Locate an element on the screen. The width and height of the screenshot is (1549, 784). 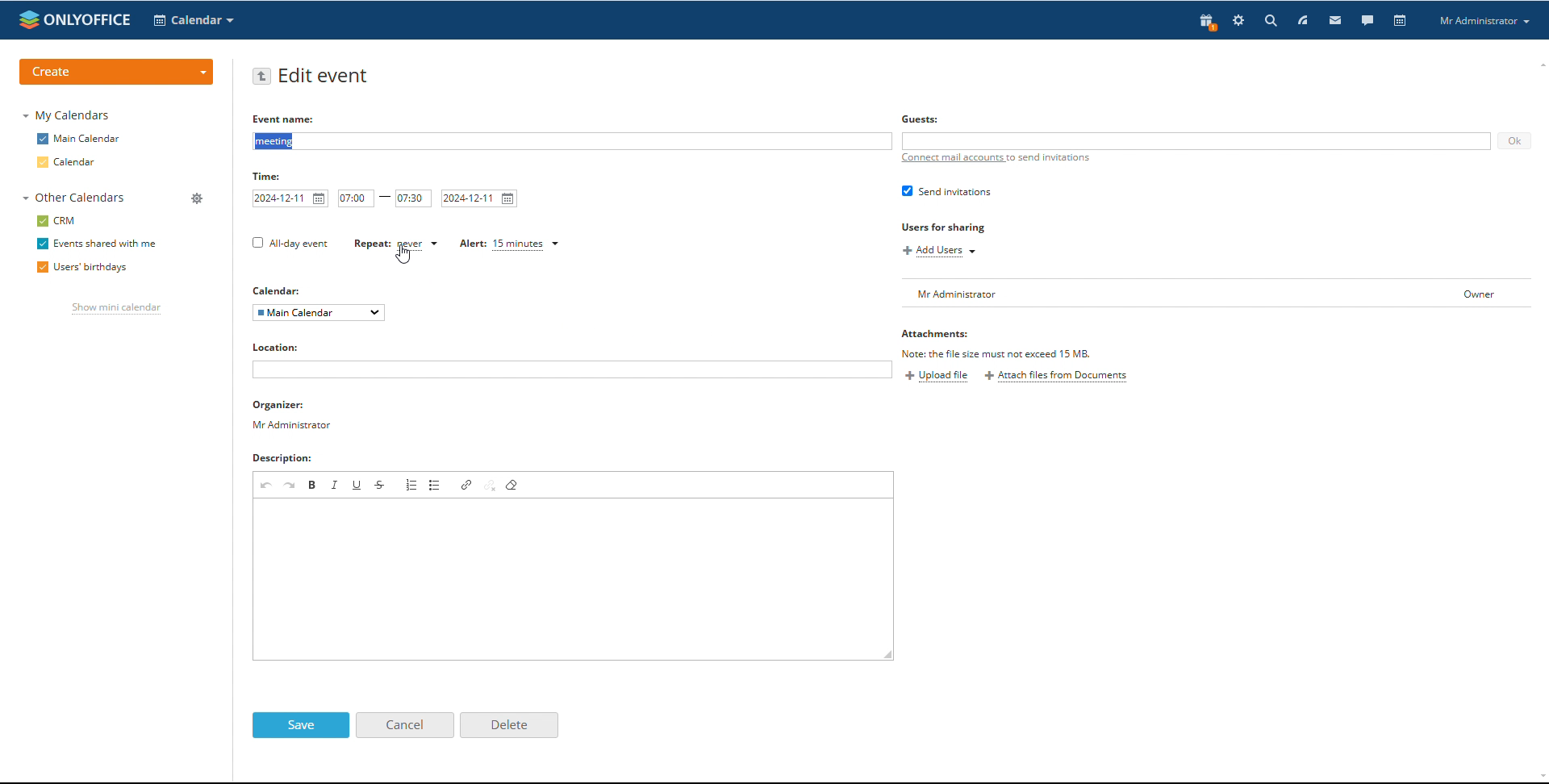
all-day event checkbox is located at coordinates (288, 243).